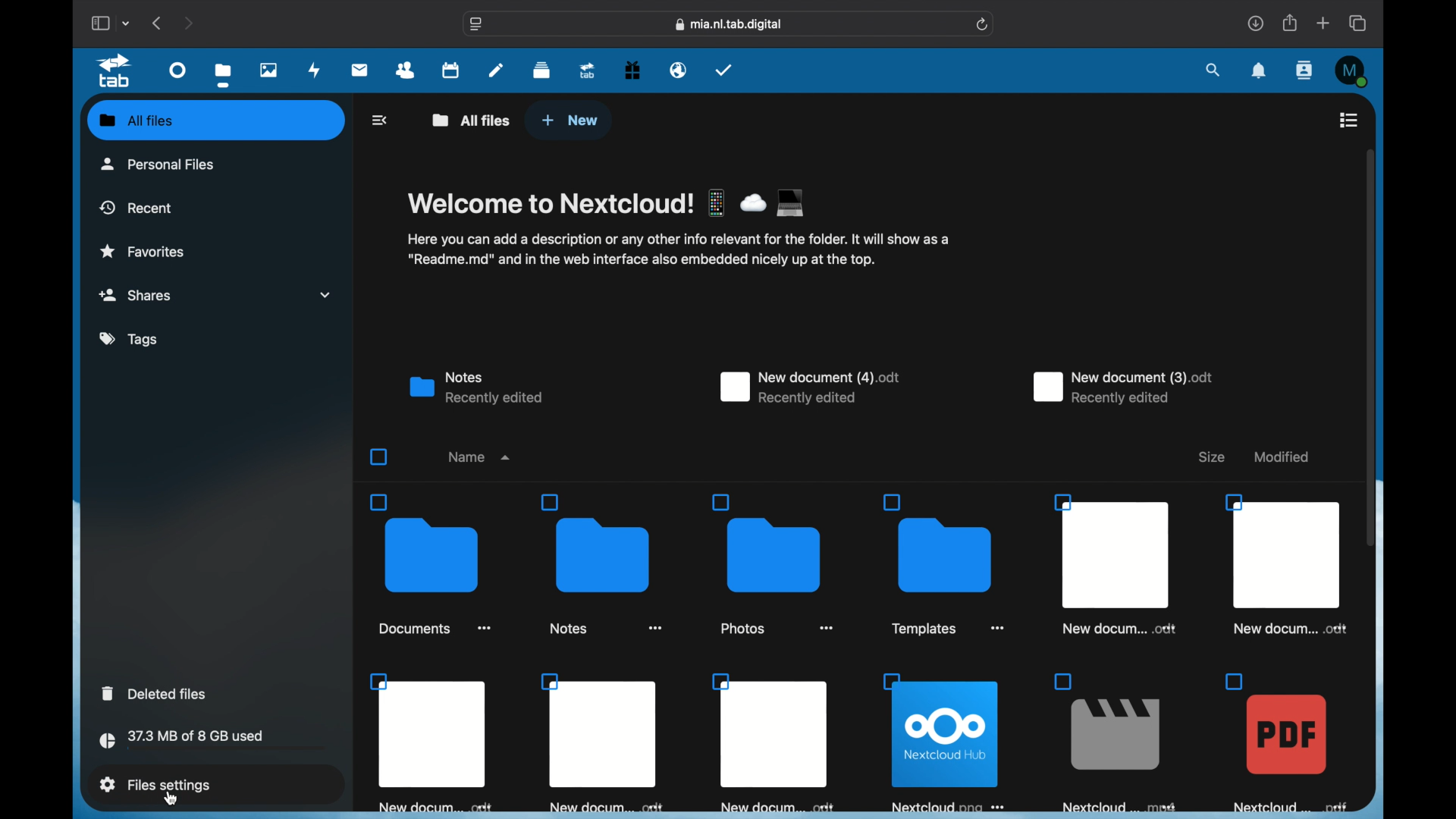 The width and height of the screenshot is (1456, 819). Describe the element at coordinates (1114, 563) in the screenshot. I see `file` at that location.